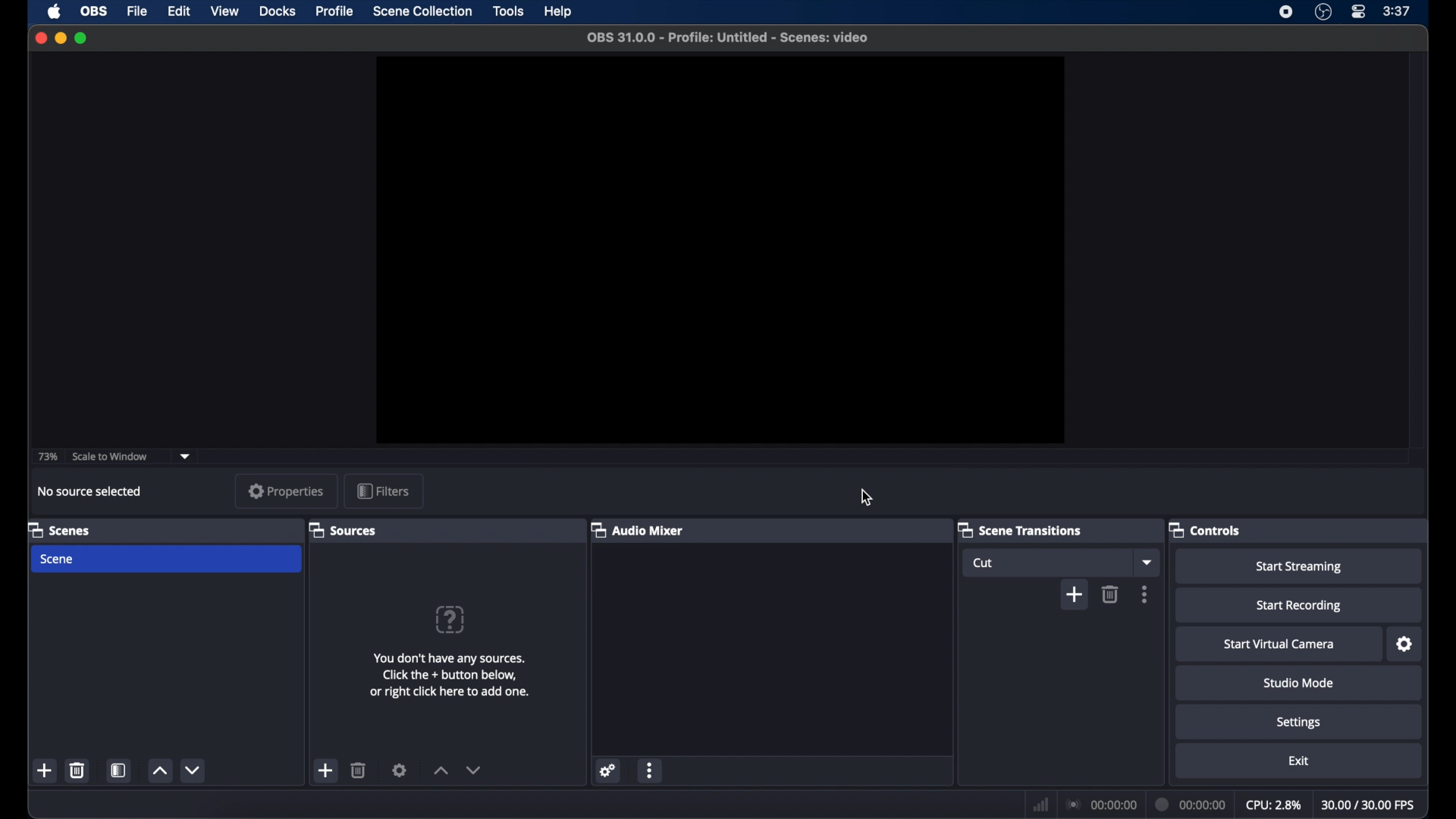  What do you see at coordinates (1298, 606) in the screenshot?
I see `start recording` at bounding box center [1298, 606].